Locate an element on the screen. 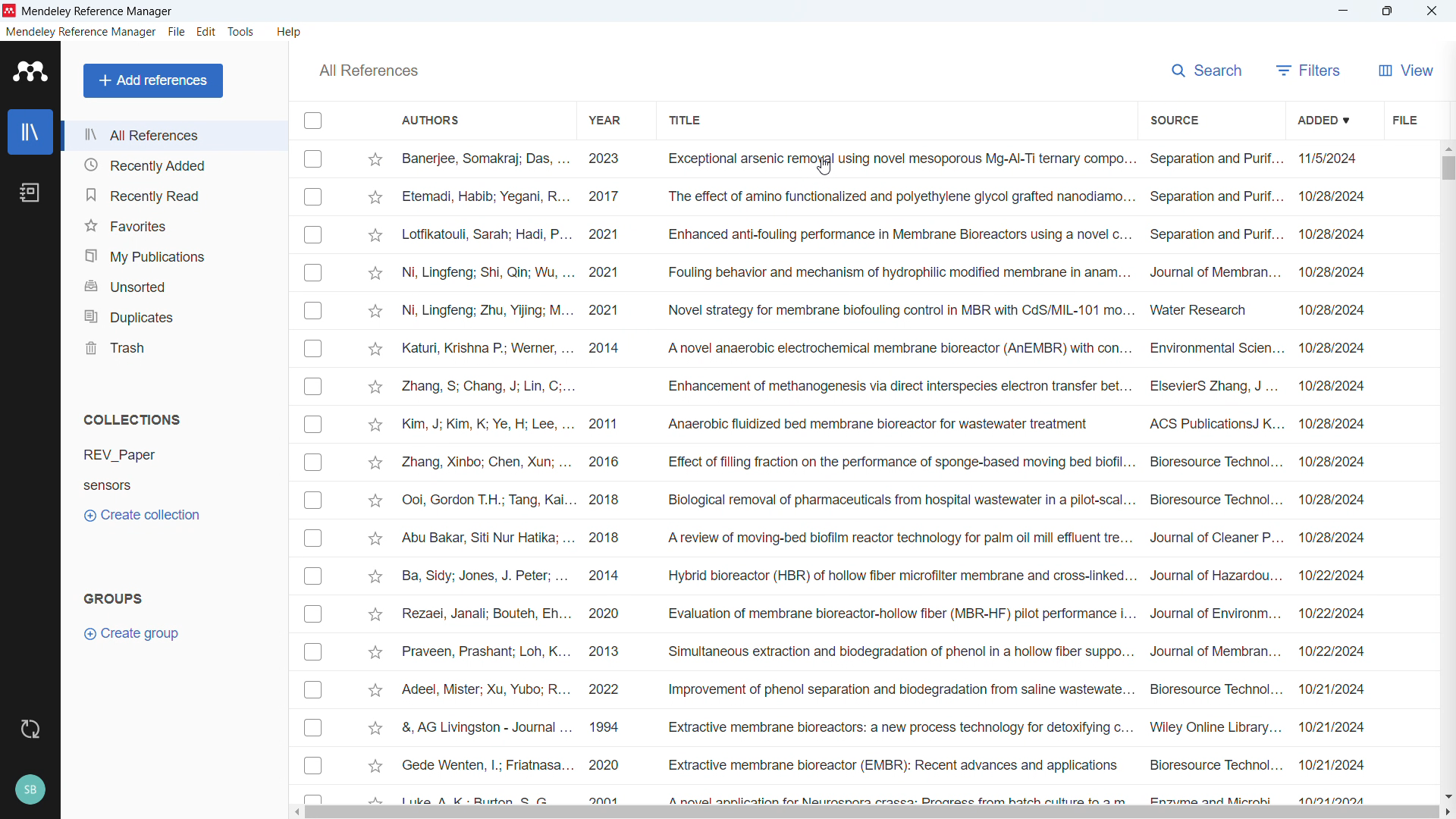  Authors  is located at coordinates (475, 119).